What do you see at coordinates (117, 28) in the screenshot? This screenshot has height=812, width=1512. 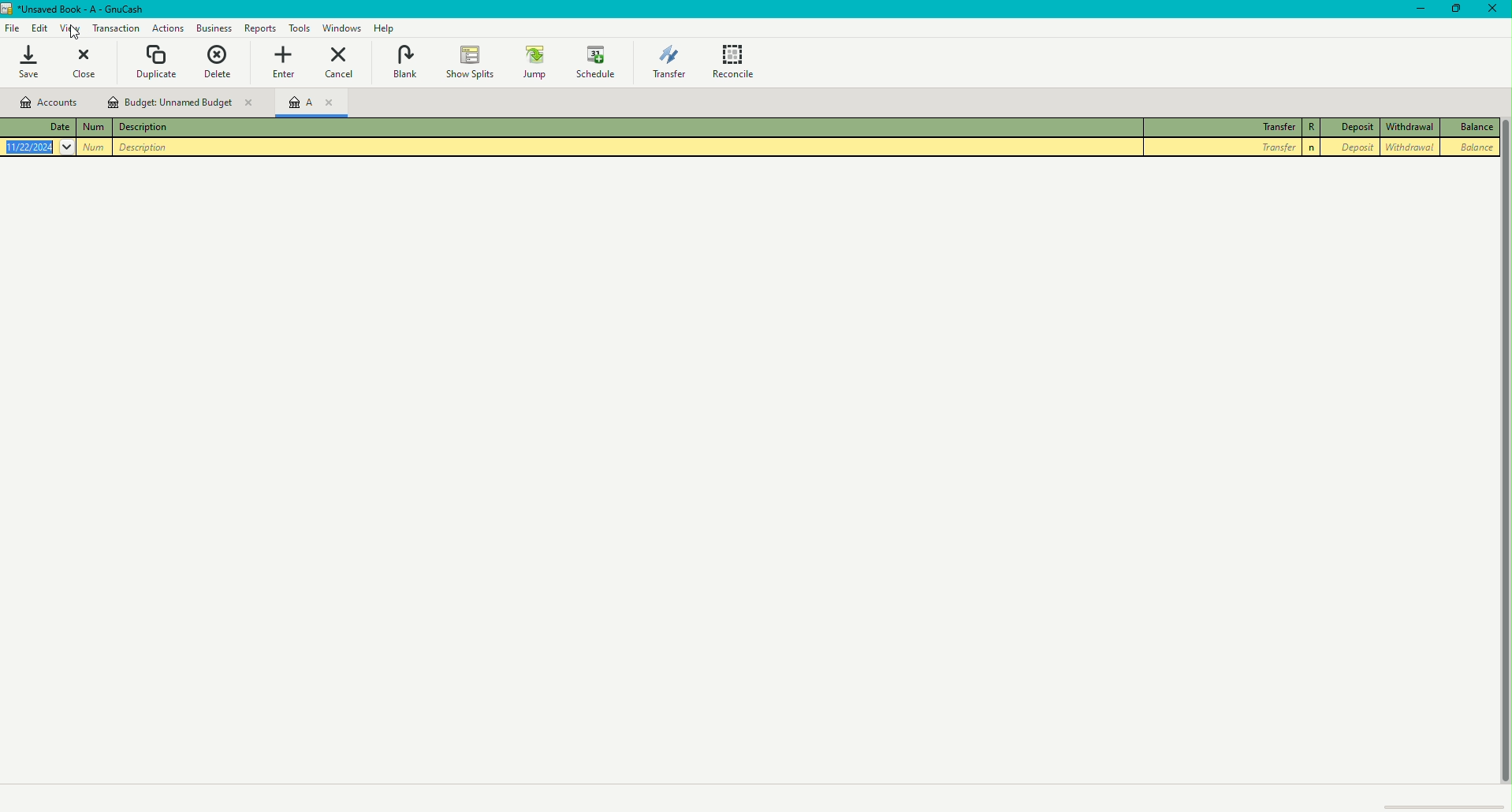 I see `Actions` at bounding box center [117, 28].